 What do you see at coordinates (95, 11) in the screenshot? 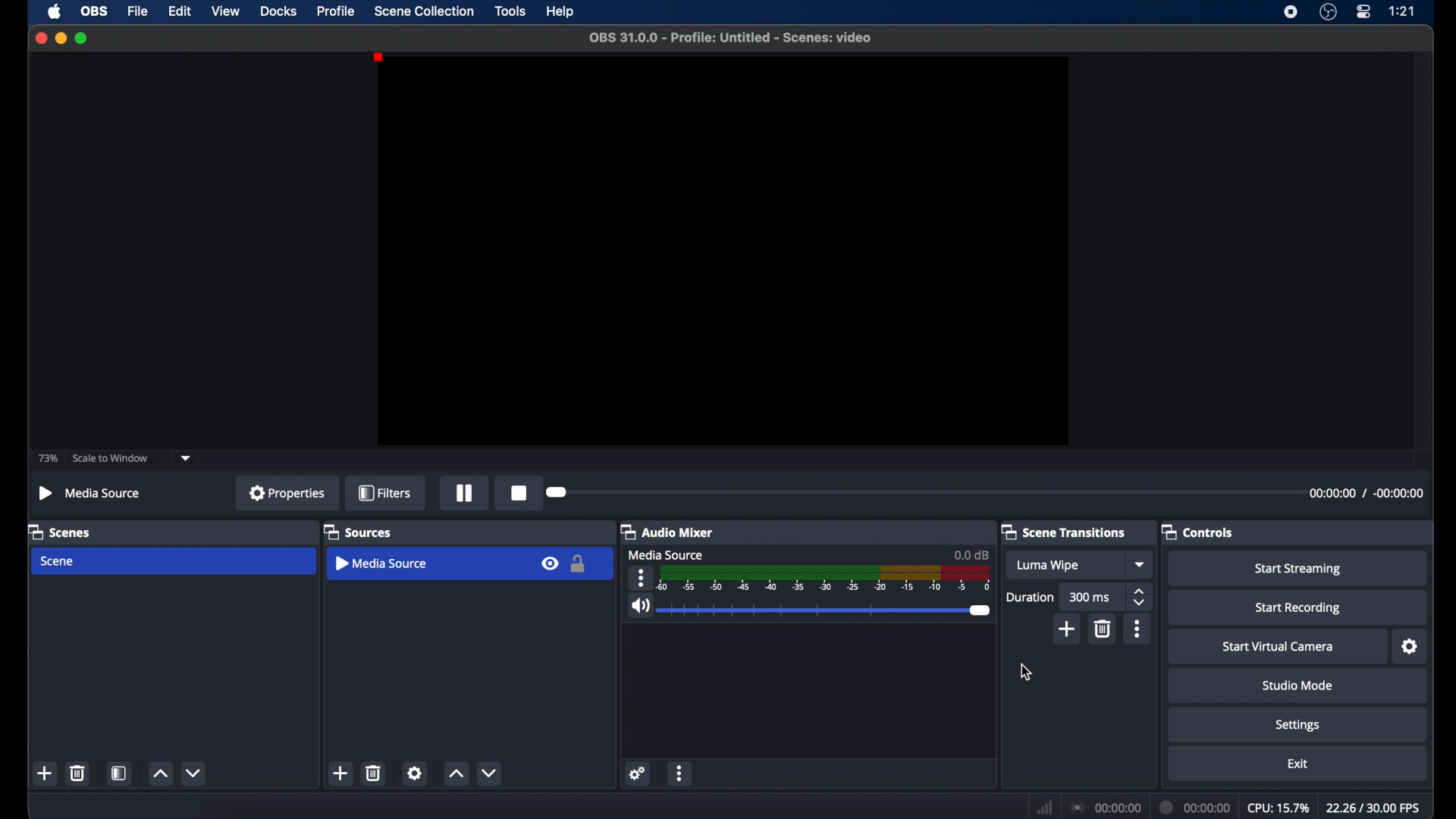
I see `obs` at bounding box center [95, 11].